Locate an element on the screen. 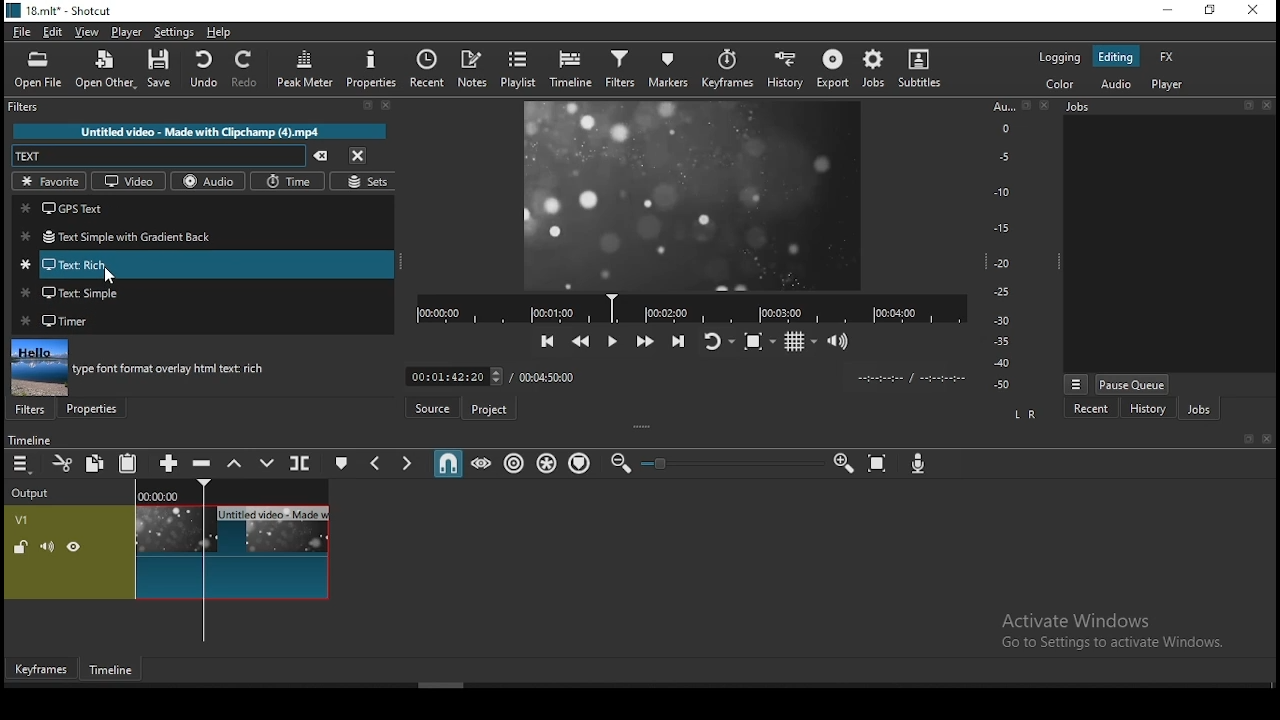  play quickly backwards is located at coordinates (580, 341).